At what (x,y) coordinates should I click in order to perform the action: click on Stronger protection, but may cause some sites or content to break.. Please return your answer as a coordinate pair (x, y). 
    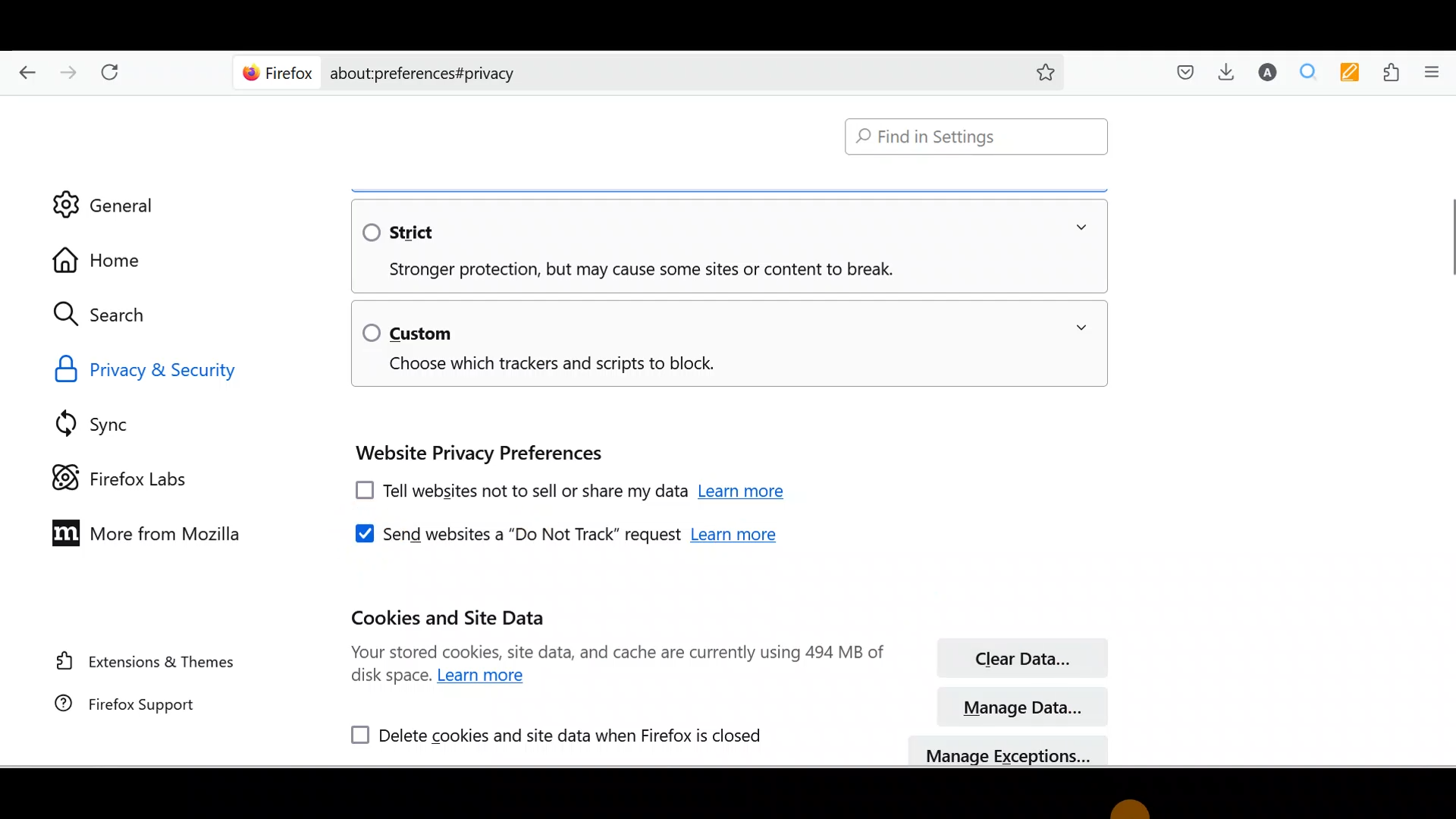
    Looking at the image, I should click on (628, 271).